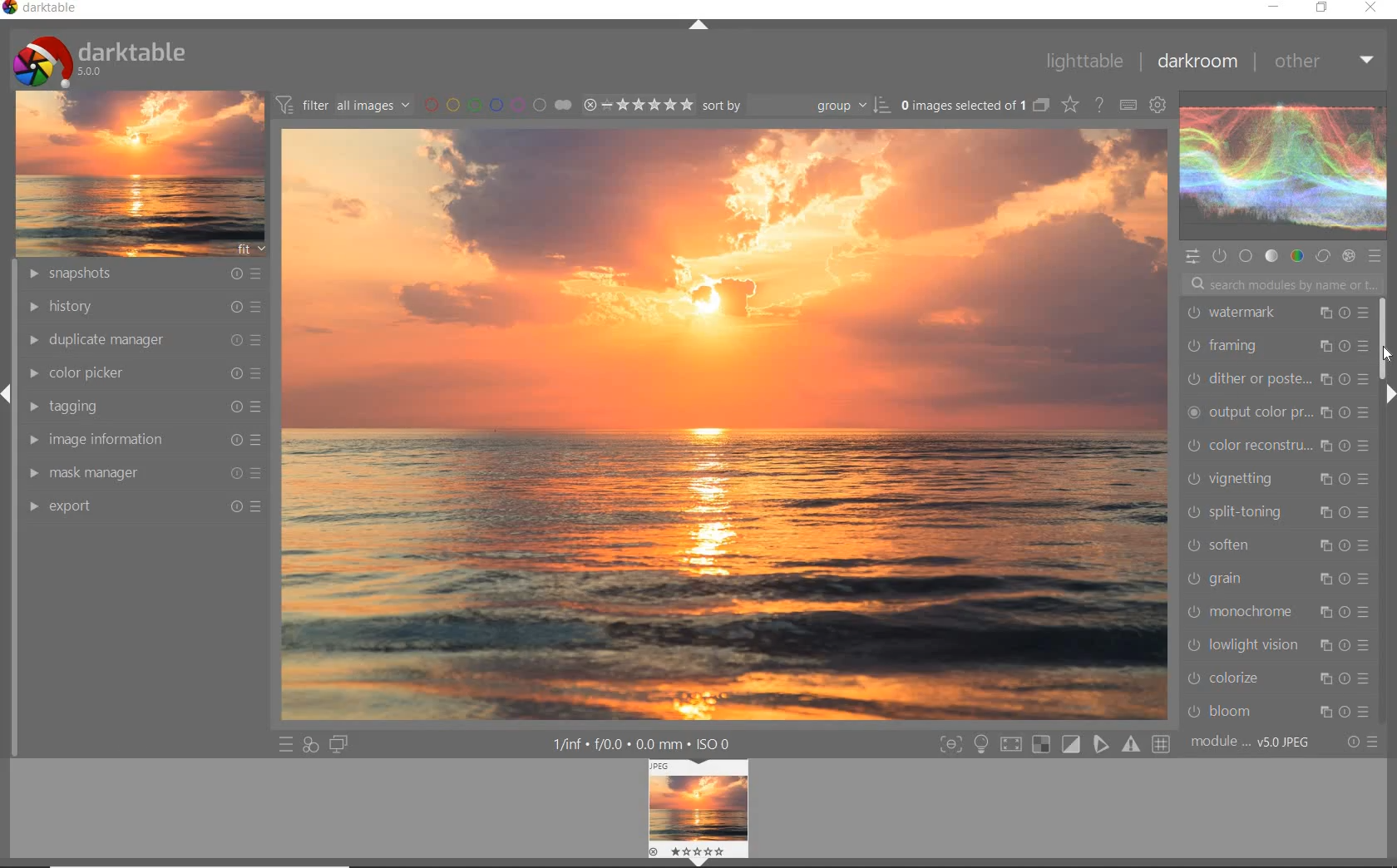 The height and width of the screenshot is (868, 1397). What do you see at coordinates (1083, 61) in the screenshot?
I see `lighttable` at bounding box center [1083, 61].